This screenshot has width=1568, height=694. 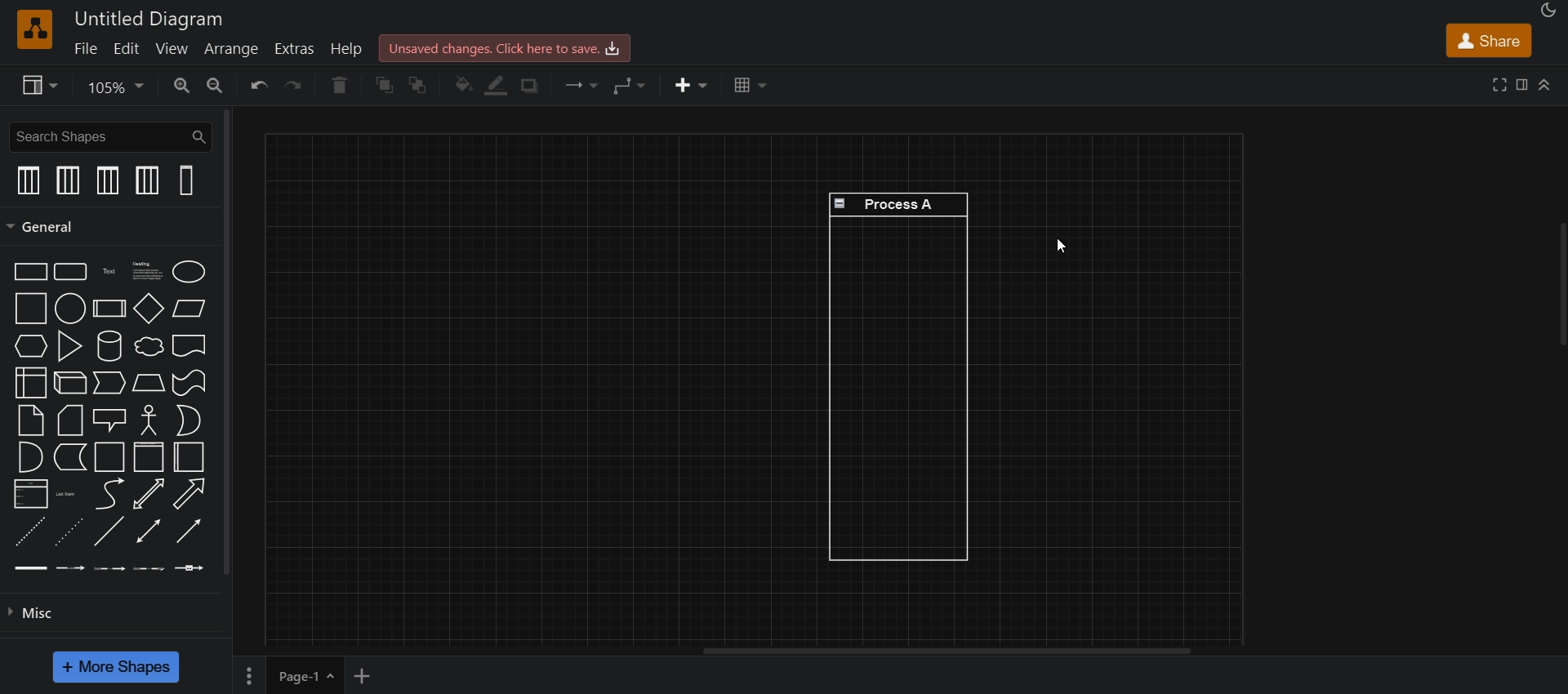 I want to click on hexagon, so click(x=32, y=348).